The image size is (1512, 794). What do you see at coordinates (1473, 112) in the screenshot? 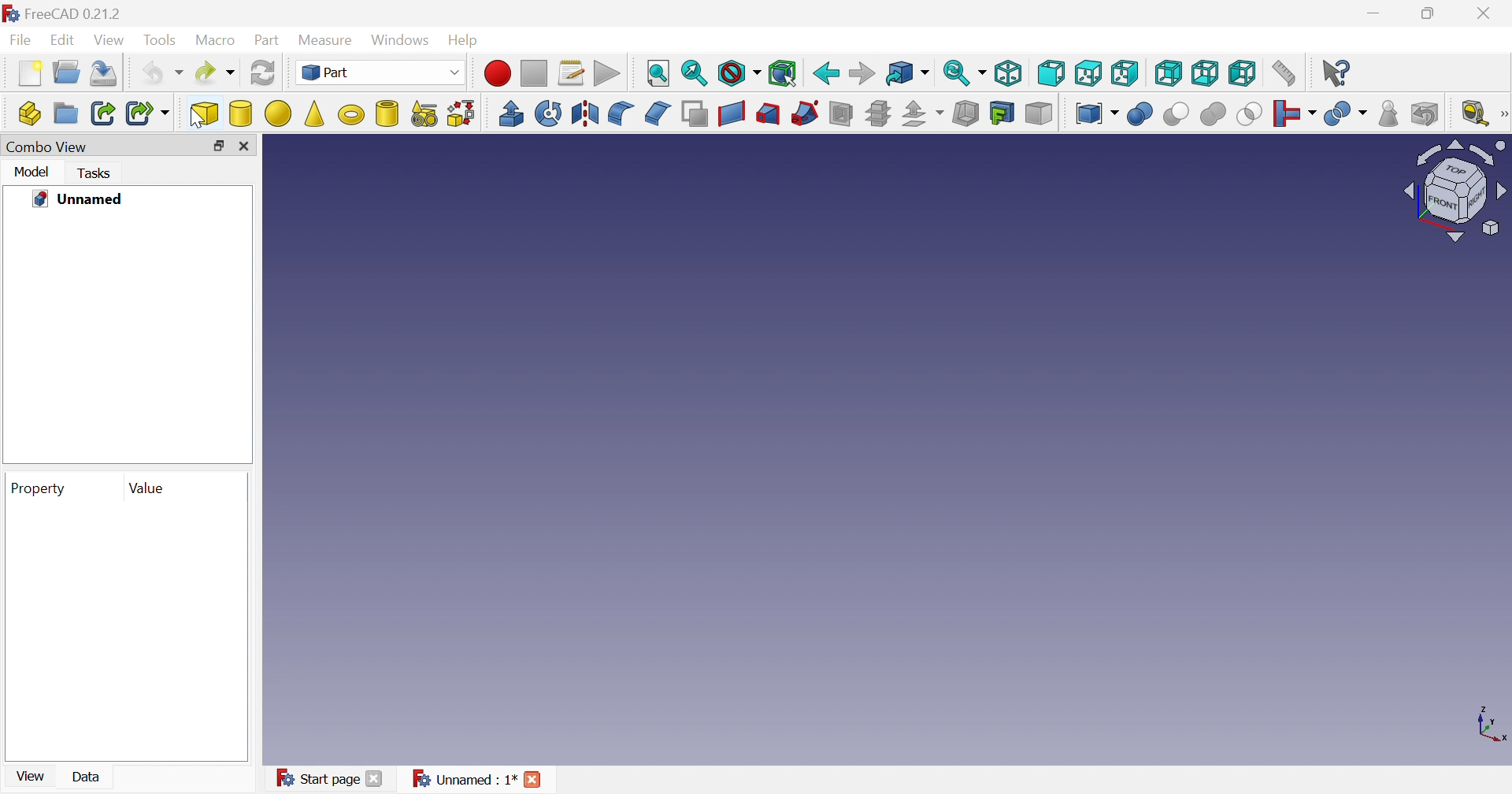
I see `Measure liner` at bounding box center [1473, 112].